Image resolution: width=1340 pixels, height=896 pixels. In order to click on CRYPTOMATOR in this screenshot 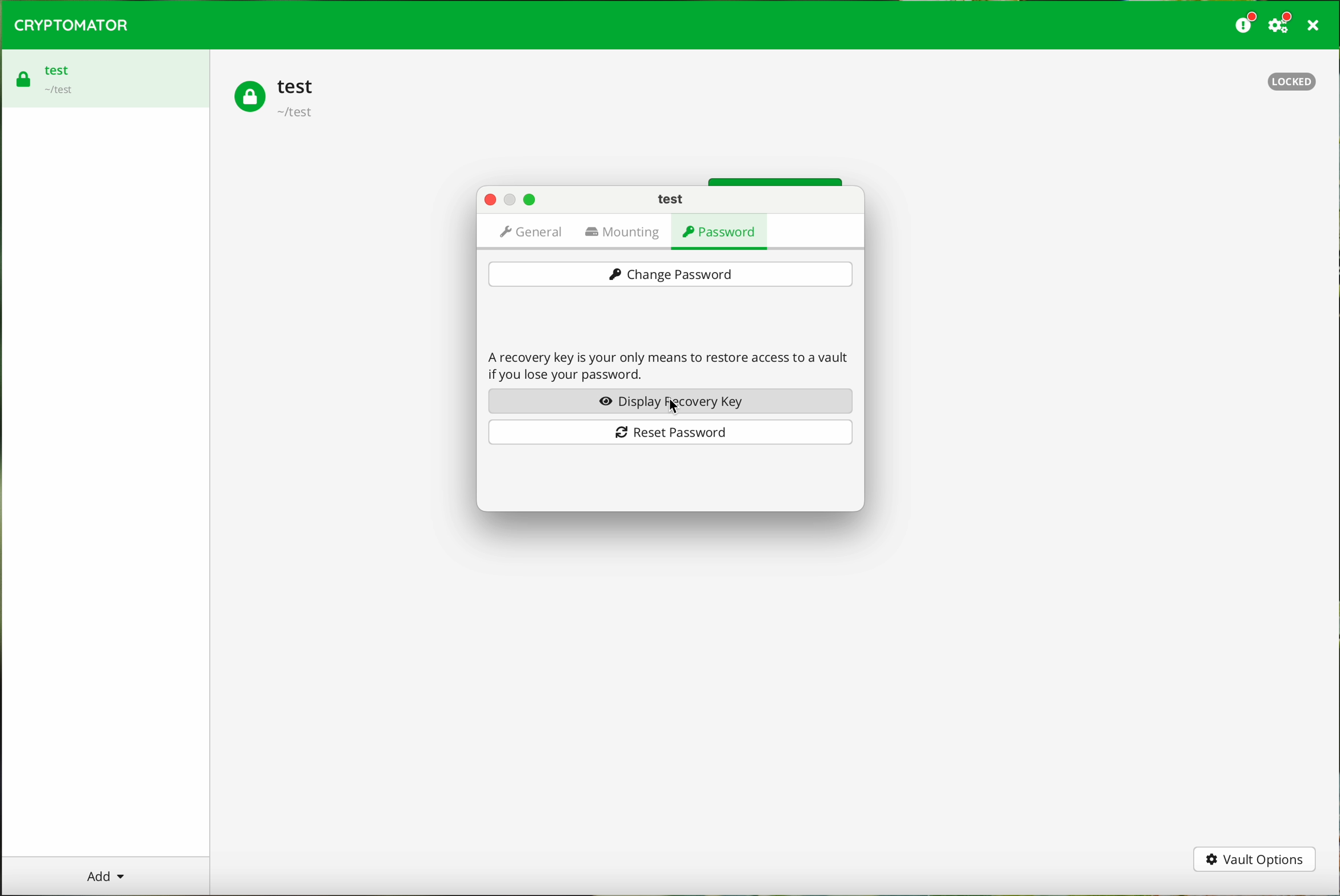, I will do `click(72, 25)`.